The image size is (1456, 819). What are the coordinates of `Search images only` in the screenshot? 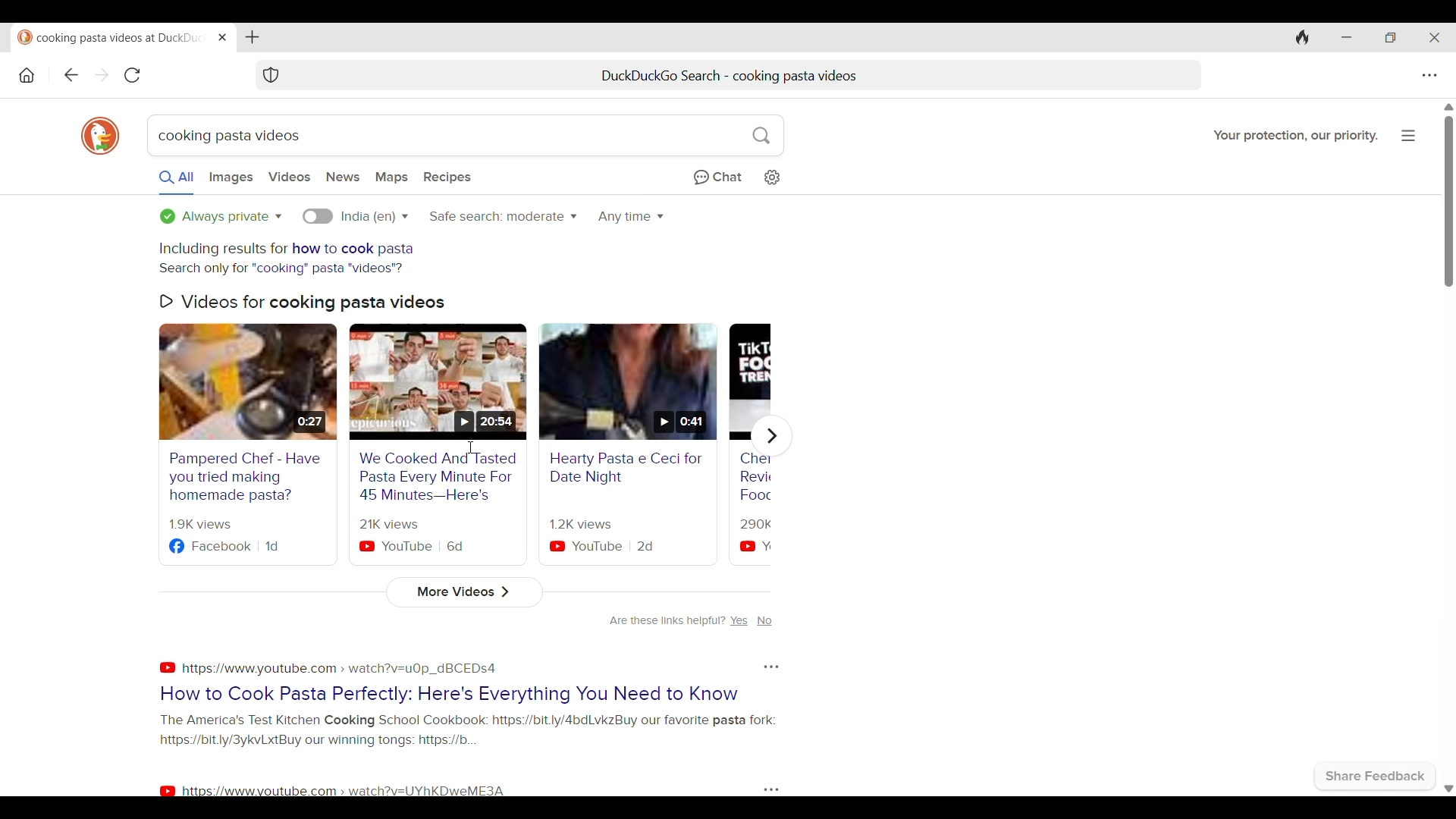 It's located at (231, 178).